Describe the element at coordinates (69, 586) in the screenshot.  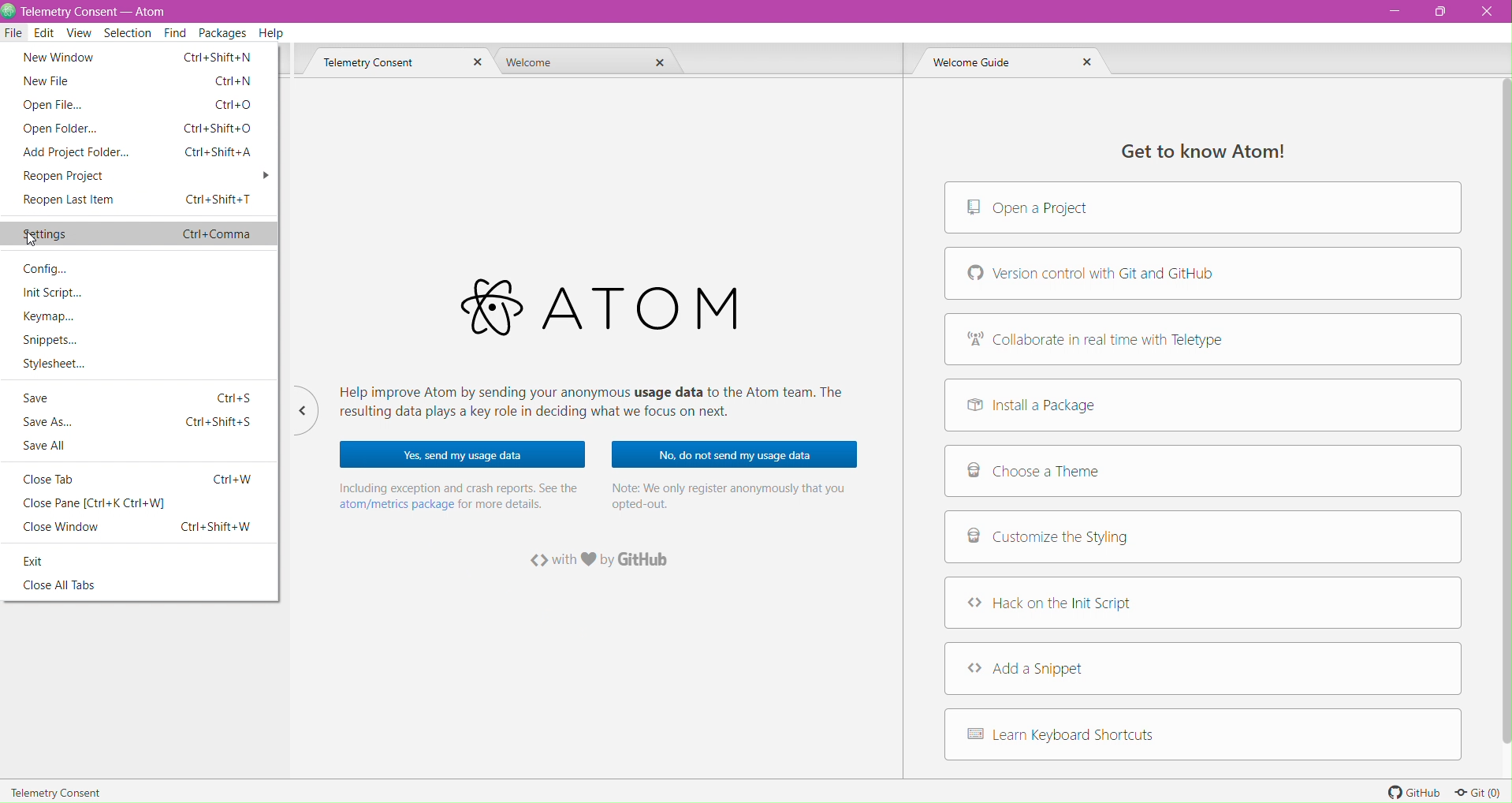
I see `Close All Tabs` at that location.